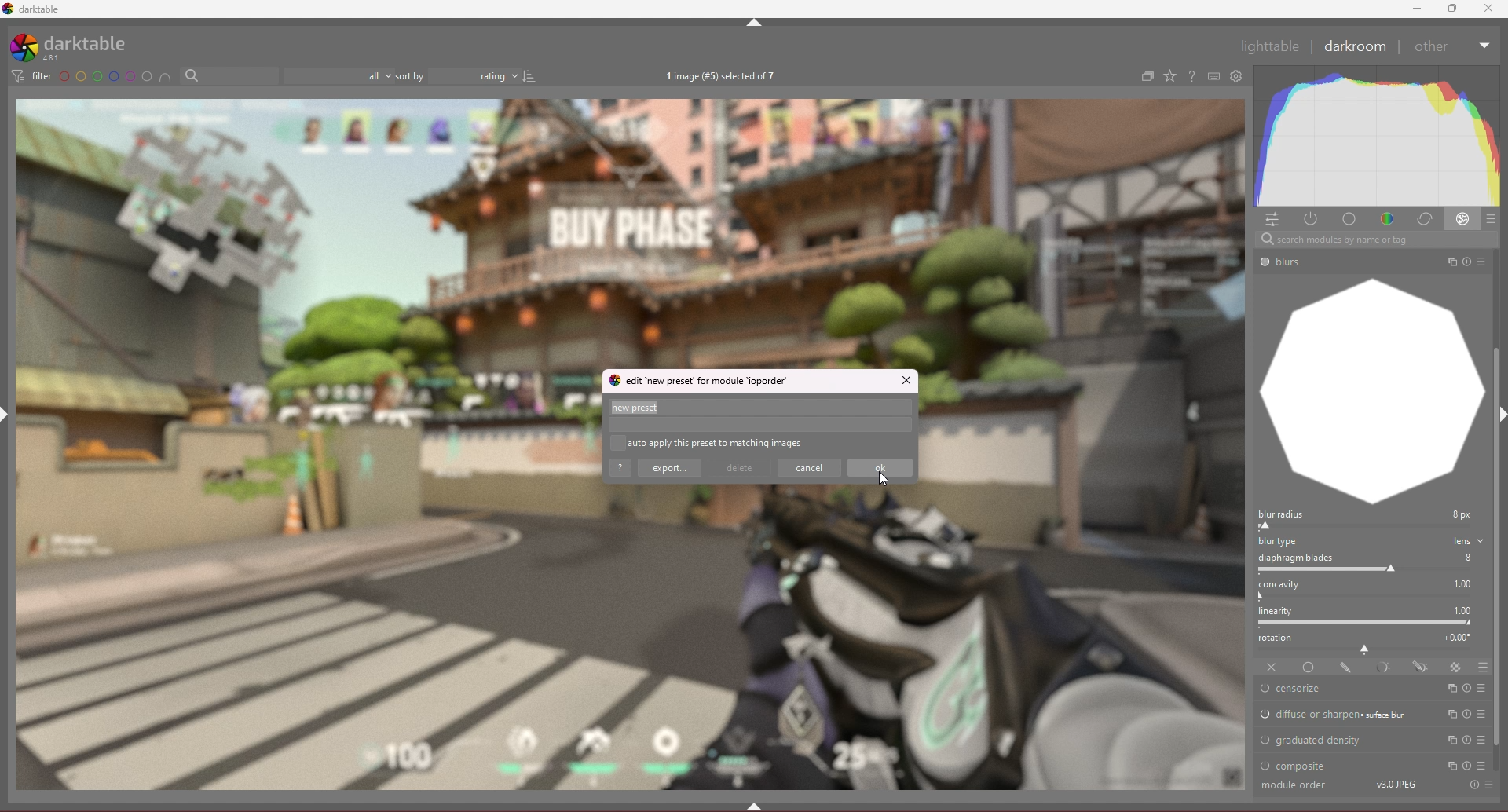 The image size is (1508, 812). What do you see at coordinates (1422, 667) in the screenshot?
I see `drawn and parametric mask` at bounding box center [1422, 667].